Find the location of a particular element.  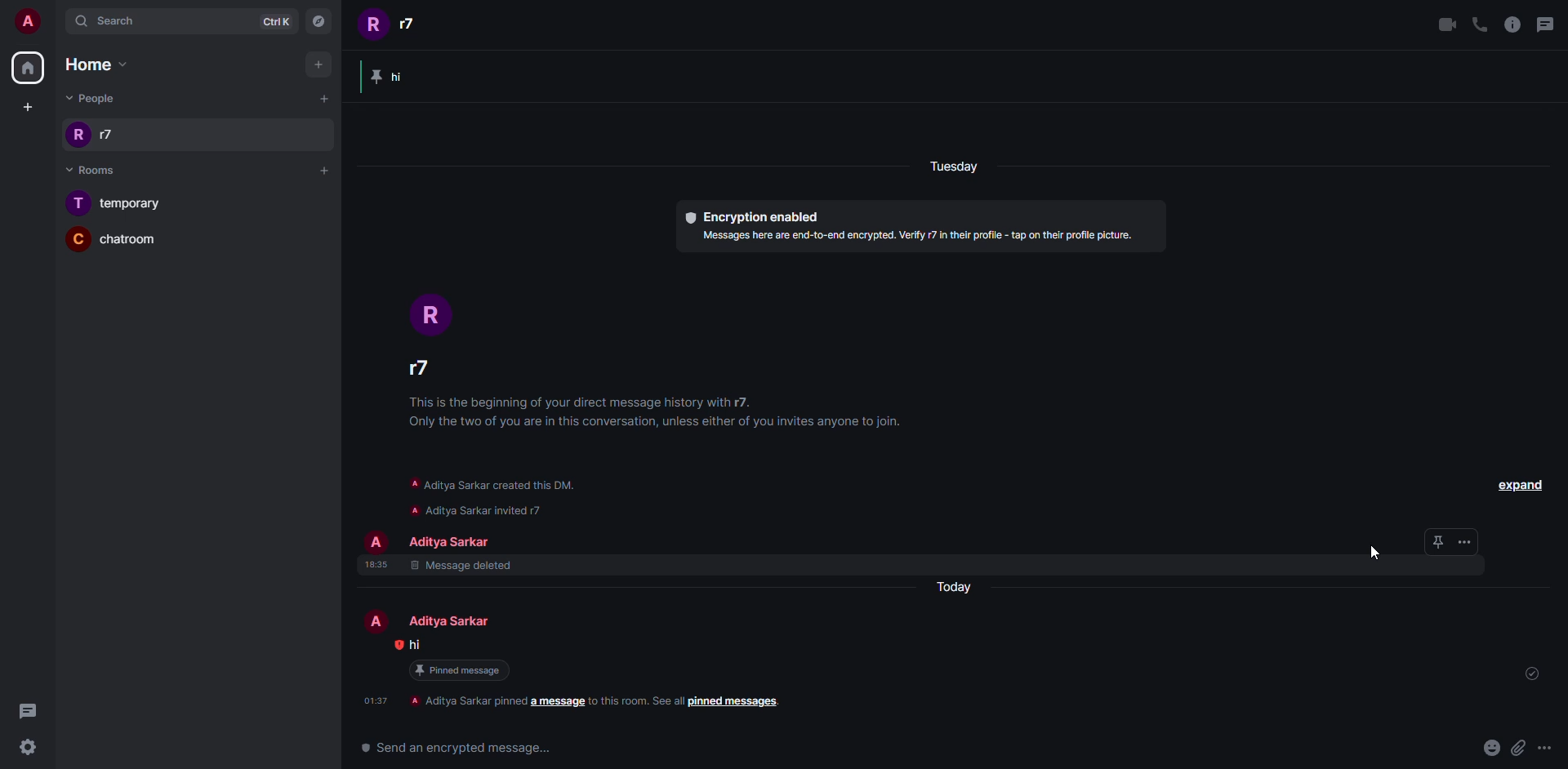

sent is located at coordinates (1532, 673).